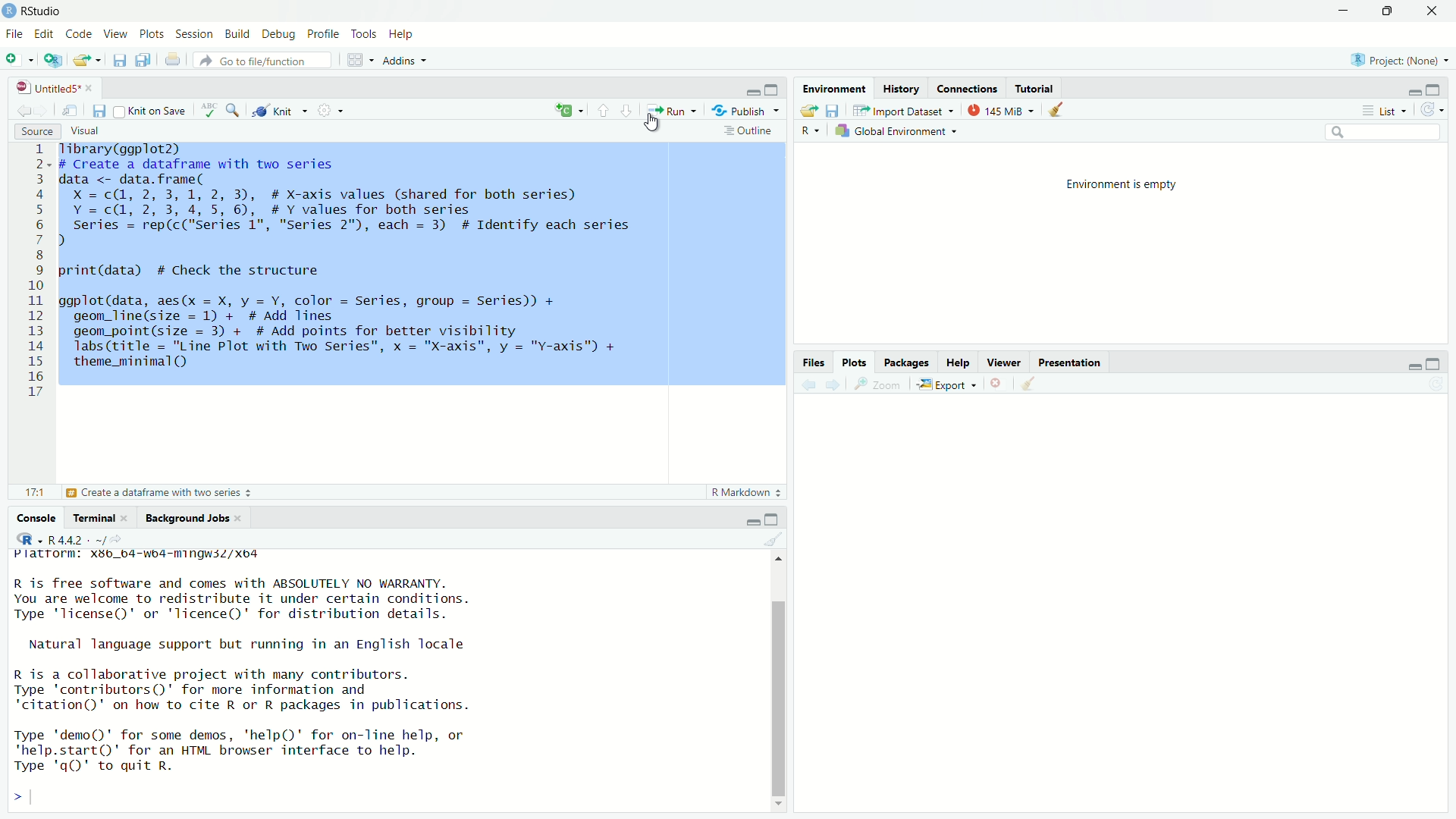 The height and width of the screenshot is (819, 1456). What do you see at coordinates (422, 262) in the screenshot?
I see `Tibrary(ggplot2)
# Create a dataframe with two series
data <- data.frame(
X =c(@, 2, 3,1, 2, 3), # X-axis values (shared for both series)
Y =c(@, 2, 3, 4,5, 6), #Y values for both series
series = rep(c("series 1", "Series 2"), each = 3) # Identify each series
1
print(data) # Check the structure
ggplot(data, aes(x = X, y = Y, color = Series, group = Series)) +
geom_line(size = 1) + # Add lines
geom_point(size = 3) + # Add points for better visibility
Tabs (title = "Line Plot with Two Series", x = "X-axis", y = "Y-axis") +
theme_minimal()` at bounding box center [422, 262].